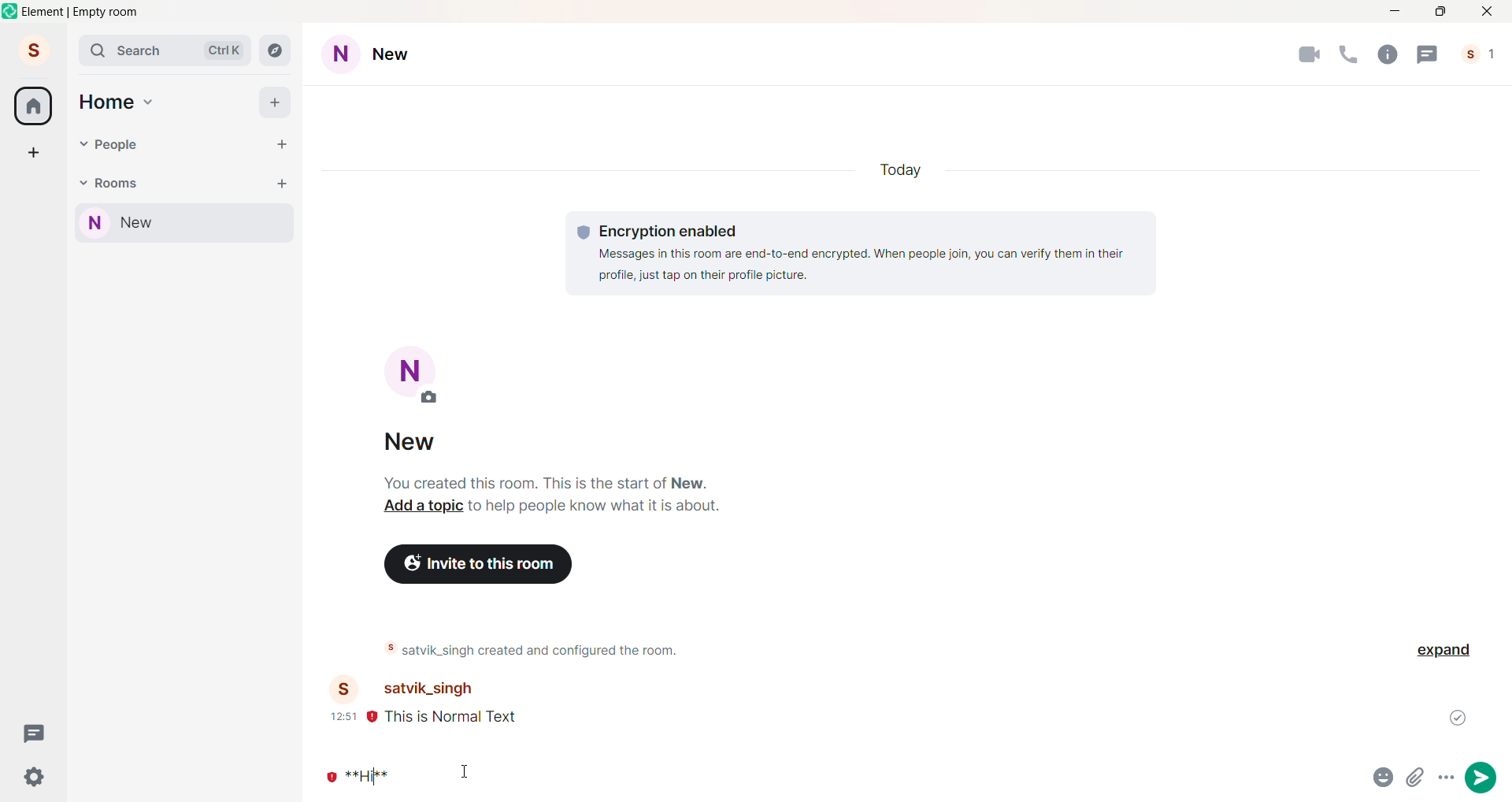  I want to click on Threads, so click(36, 733).